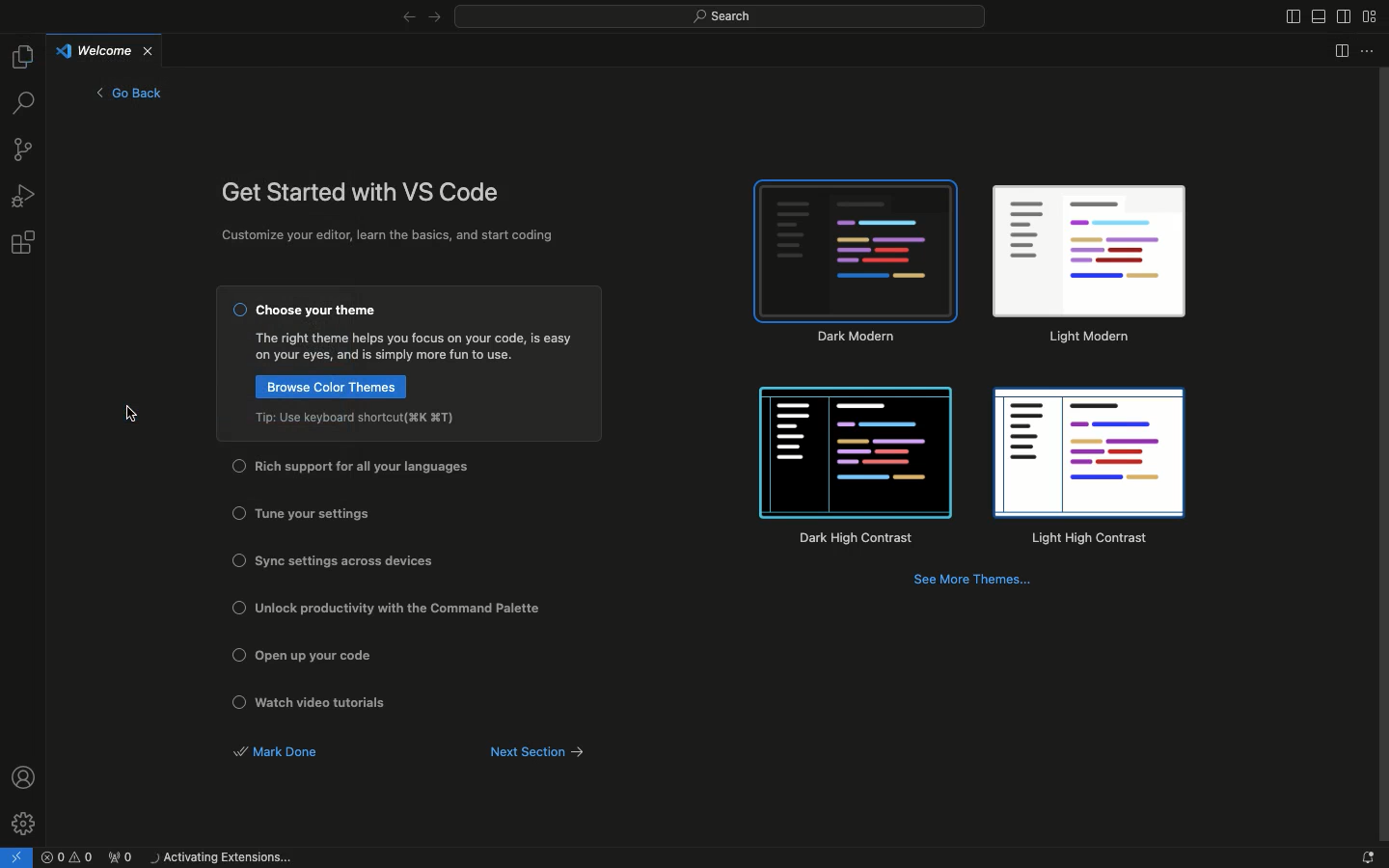 The image size is (1389, 868). Describe the element at coordinates (277, 752) in the screenshot. I see `Mark done` at that location.